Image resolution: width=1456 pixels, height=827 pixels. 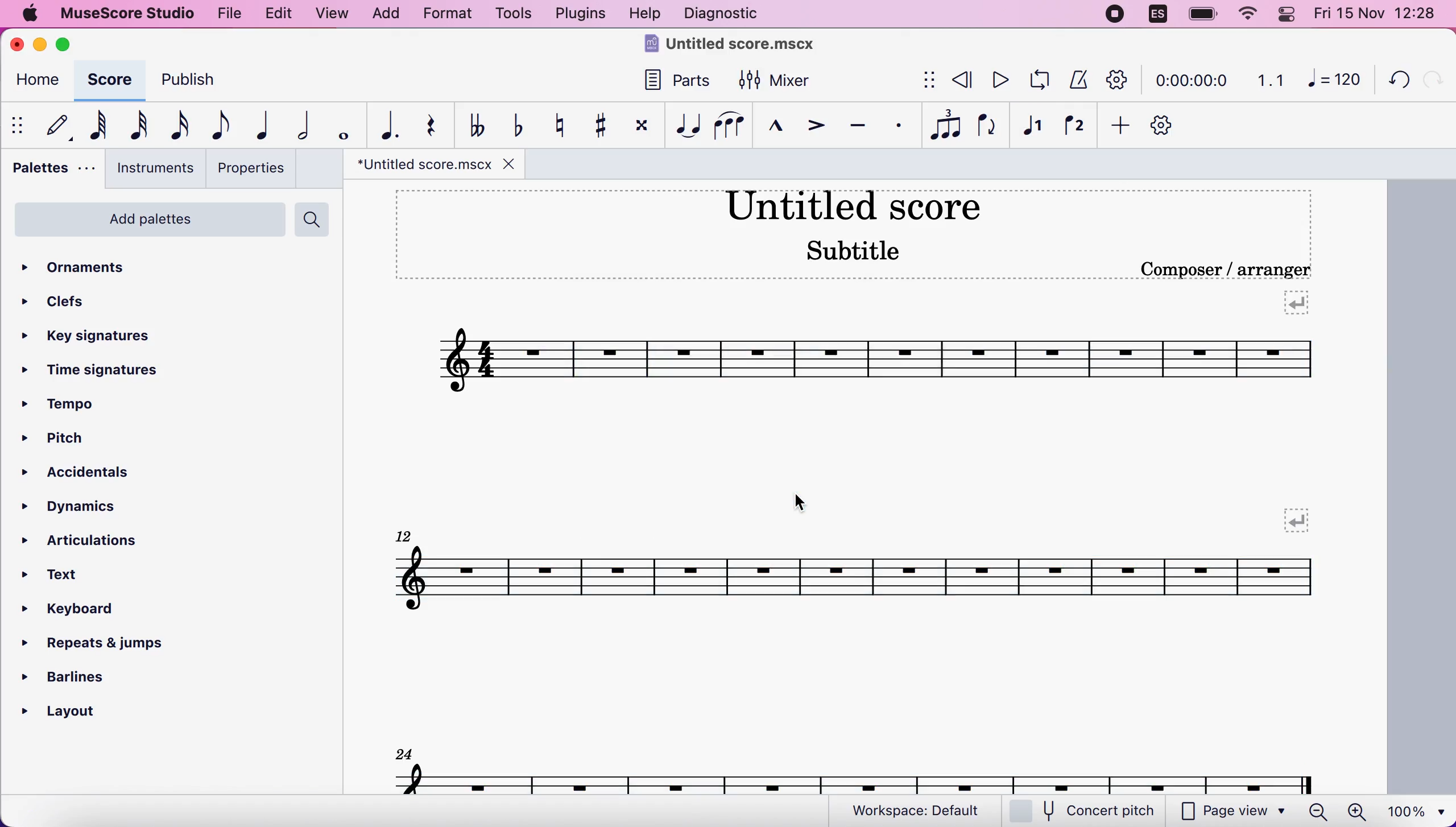 I want to click on quarter note, so click(x=258, y=125).